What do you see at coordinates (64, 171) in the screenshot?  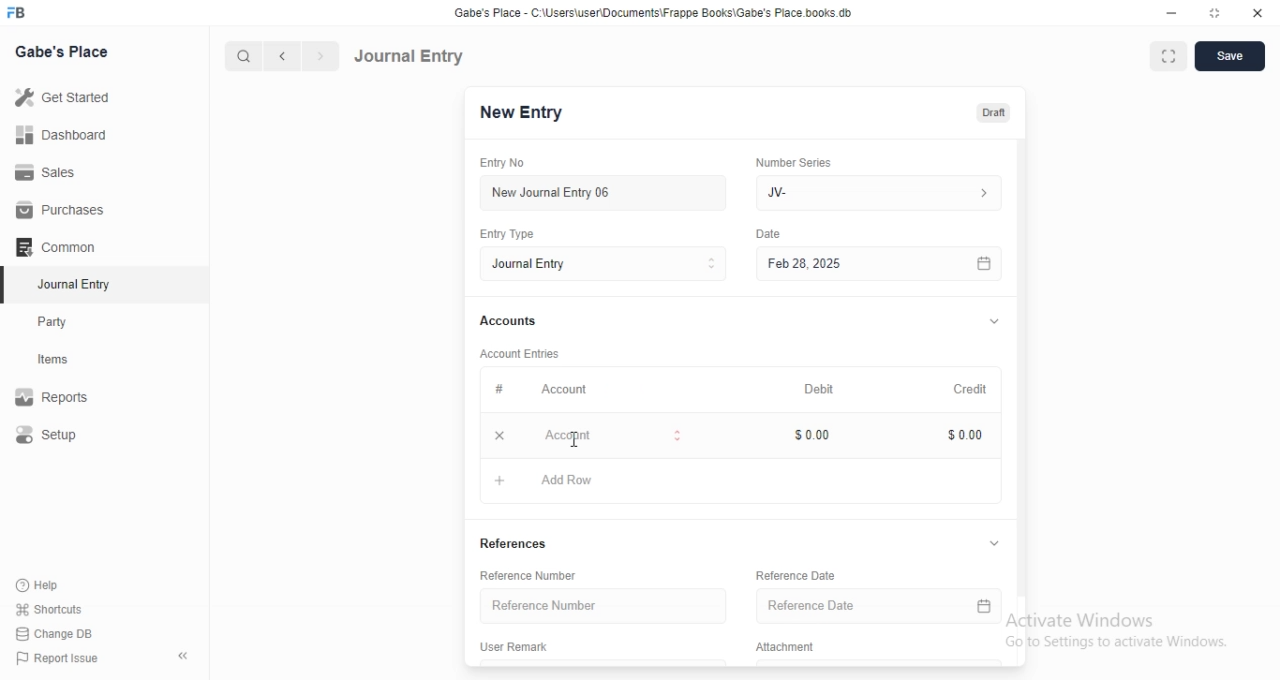 I see `Sales` at bounding box center [64, 171].